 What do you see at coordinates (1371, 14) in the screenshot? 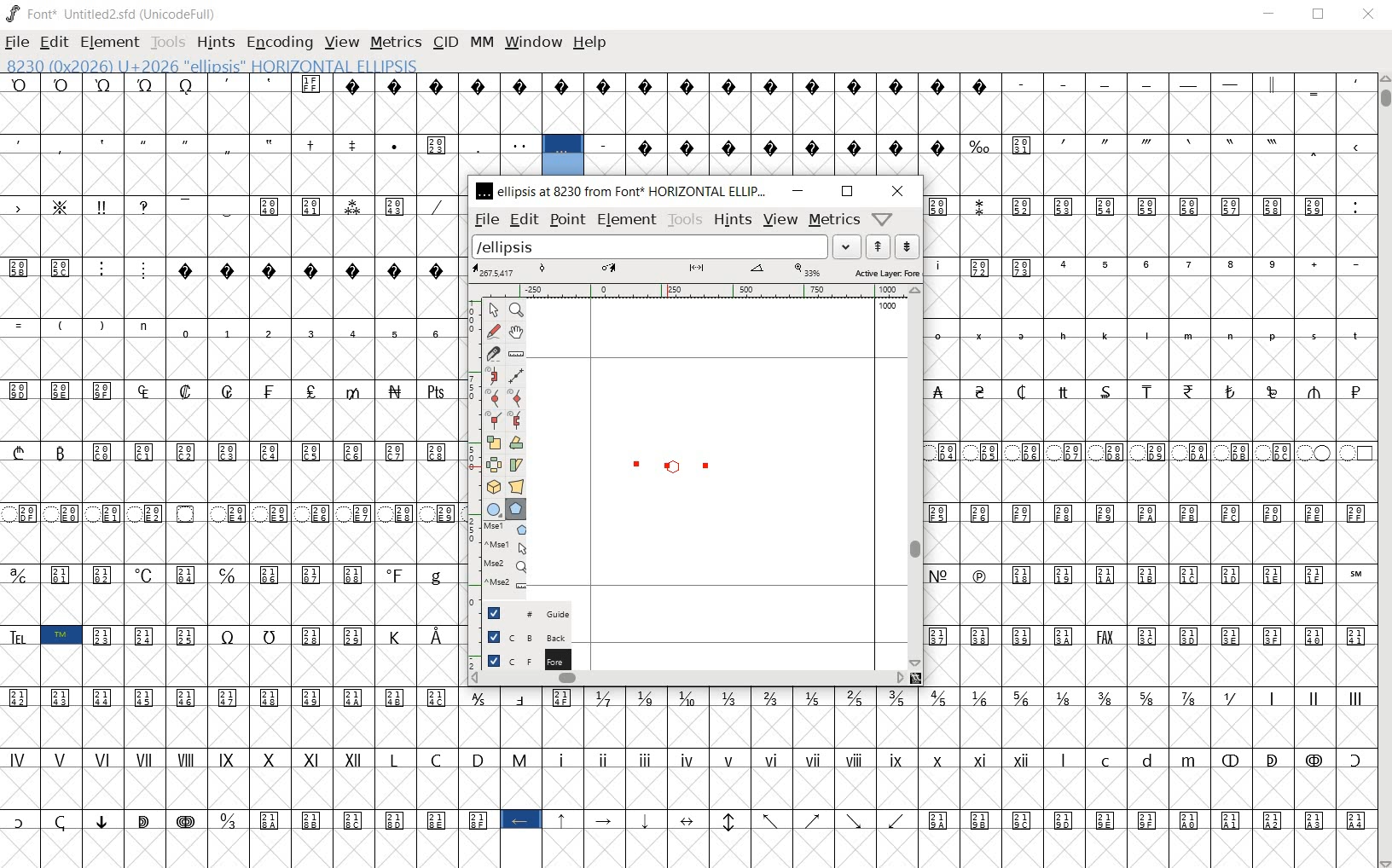
I see `CLOSE` at bounding box center [1371, 14].